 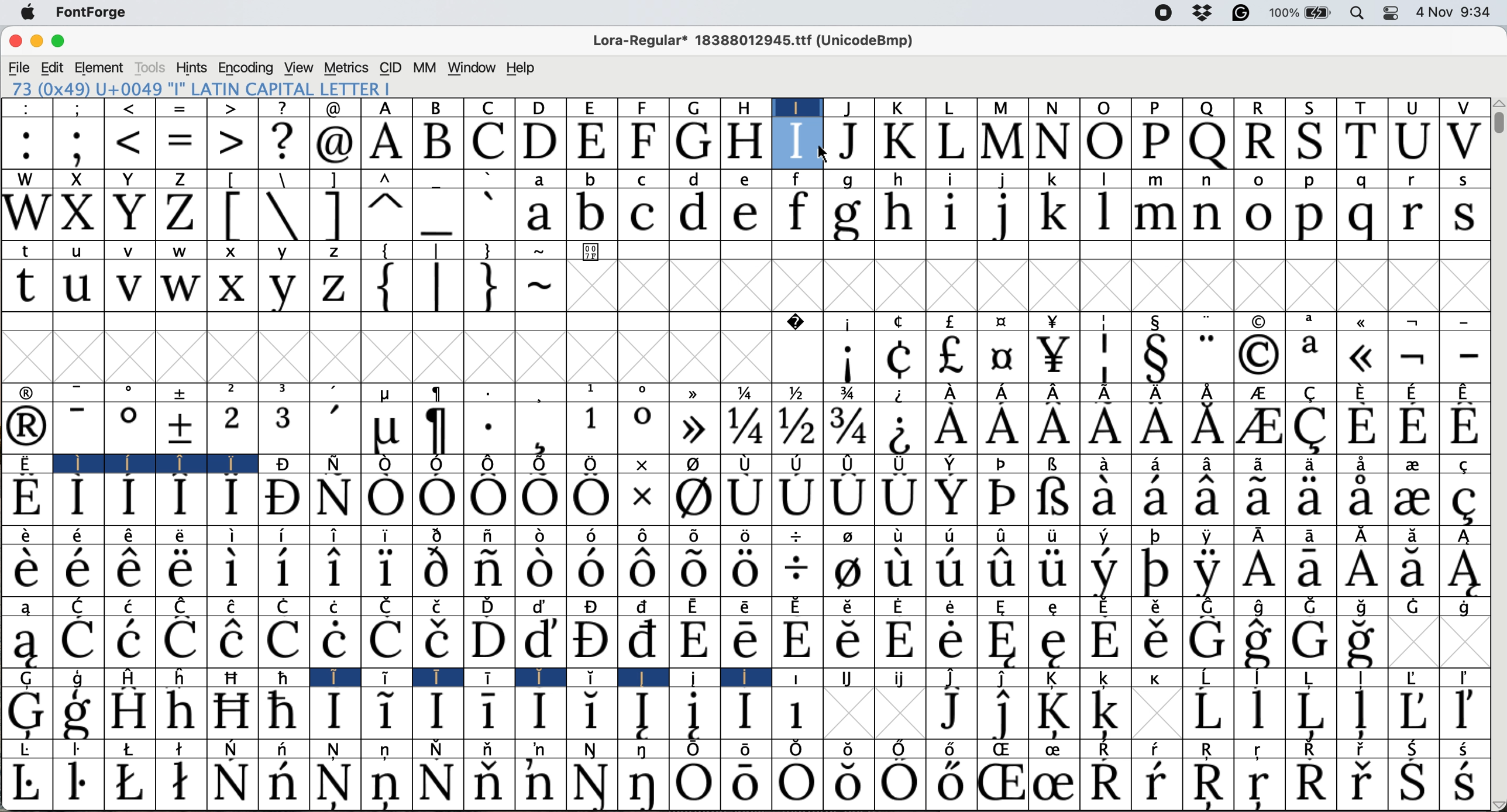 What do you see at coordinates (232, 536) in the screenshot?
I see `Symbol` at bounding box center [232, 536].